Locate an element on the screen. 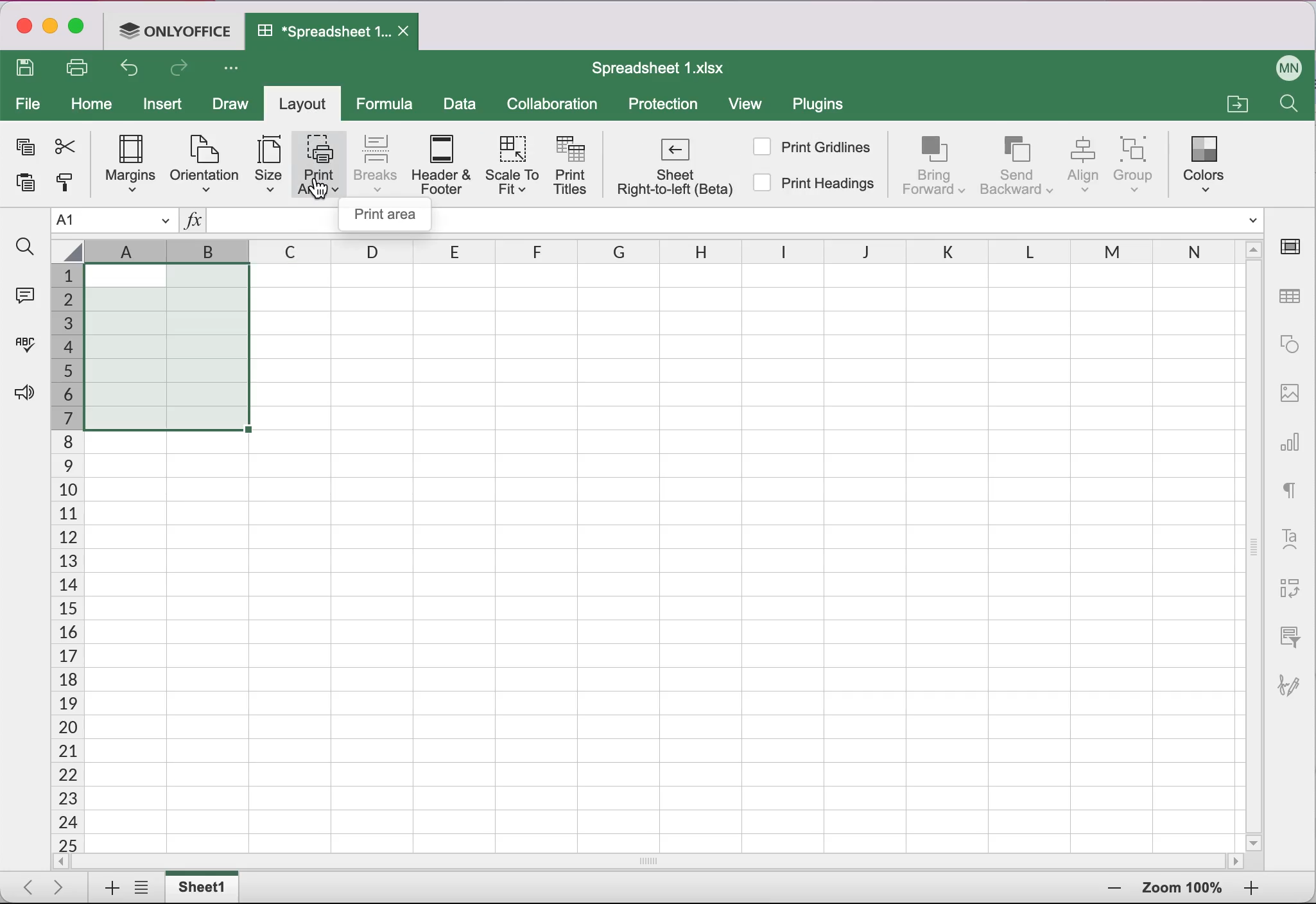 This screenshot has width=1316, height=904. copy is located at coordinates (23, 150).